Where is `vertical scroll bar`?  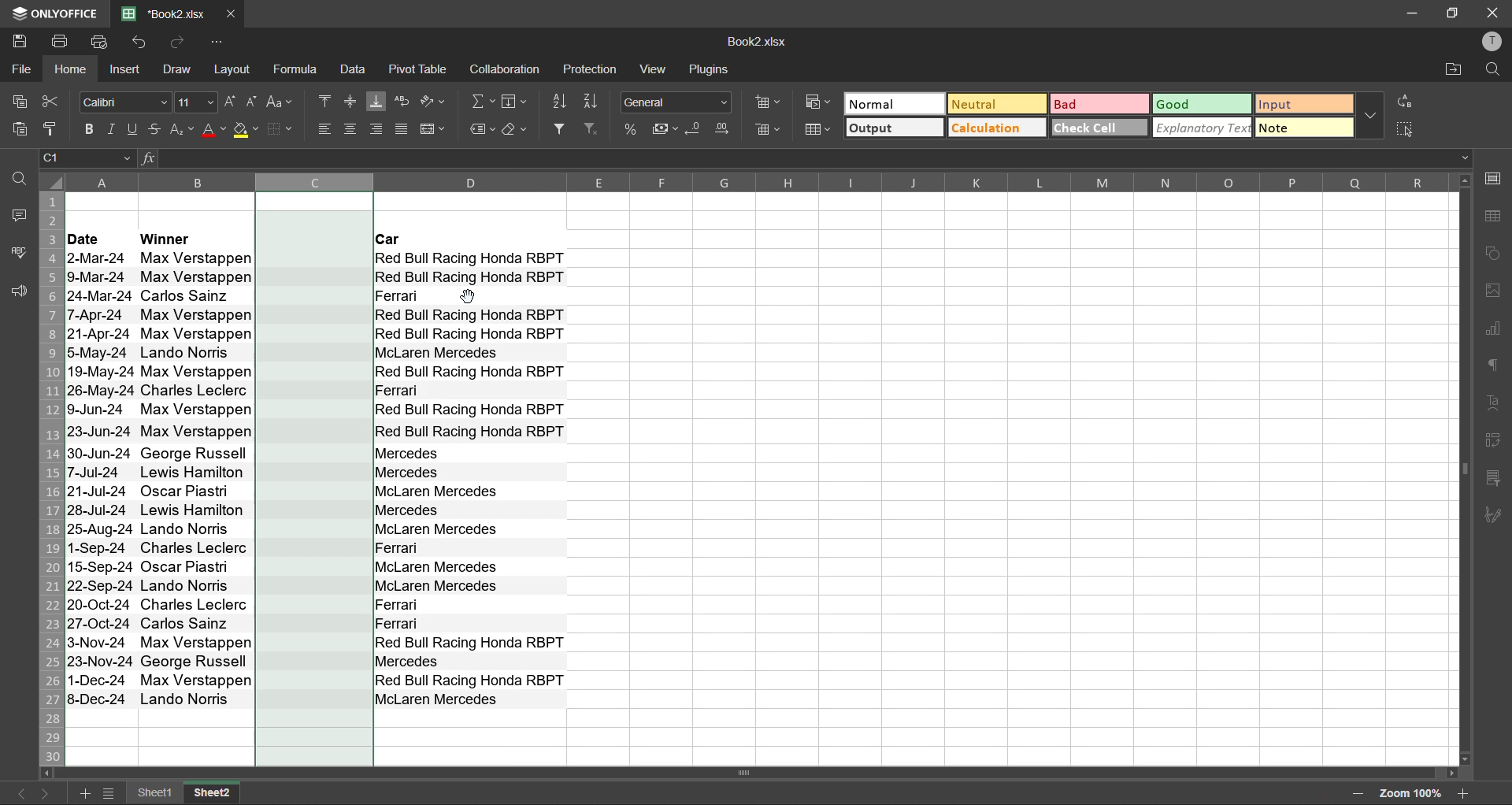
vertical scroll bar is located at coordinates (1462, 350).